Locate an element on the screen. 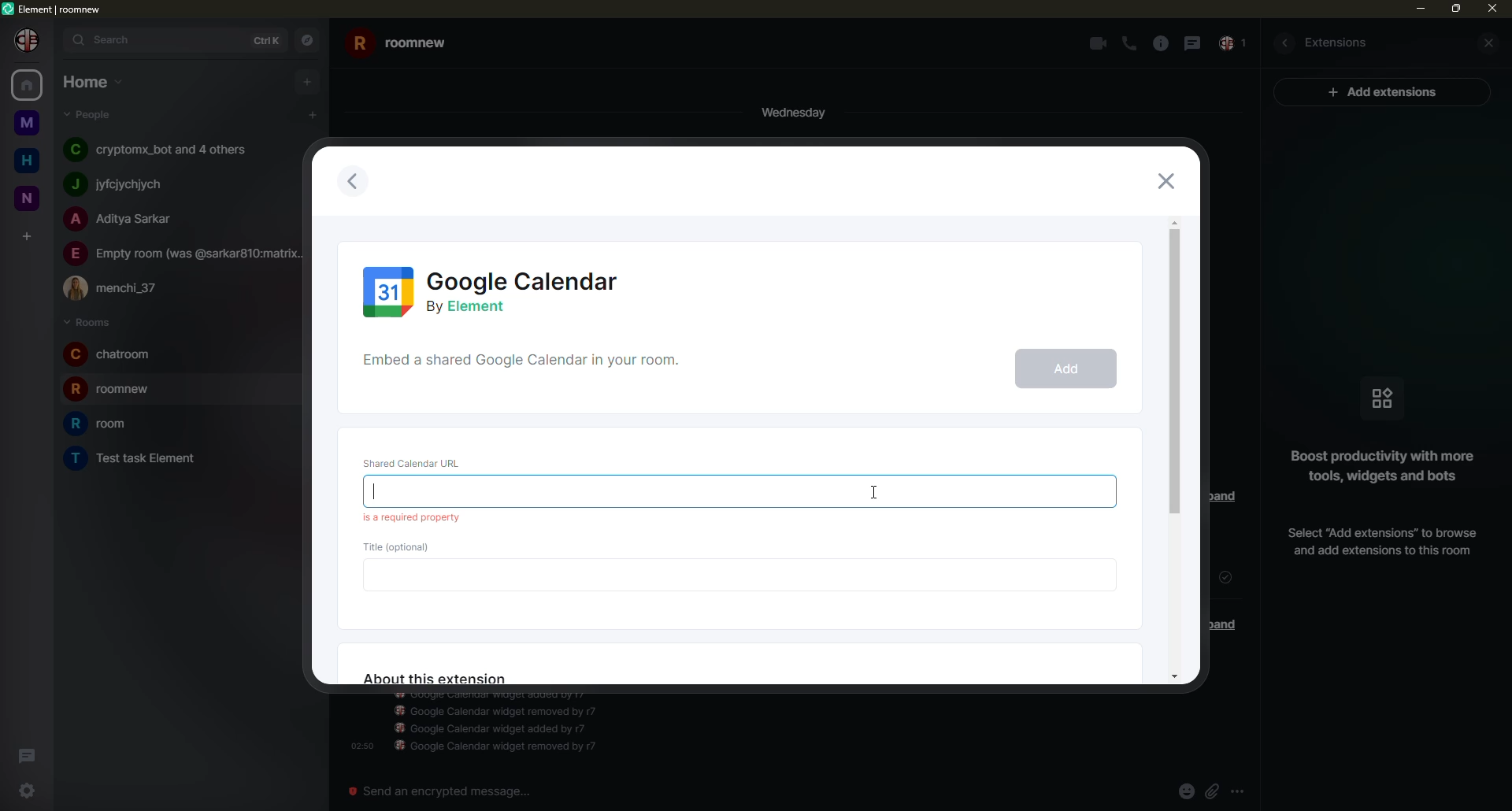  more is located at coordinates (1236, 791).